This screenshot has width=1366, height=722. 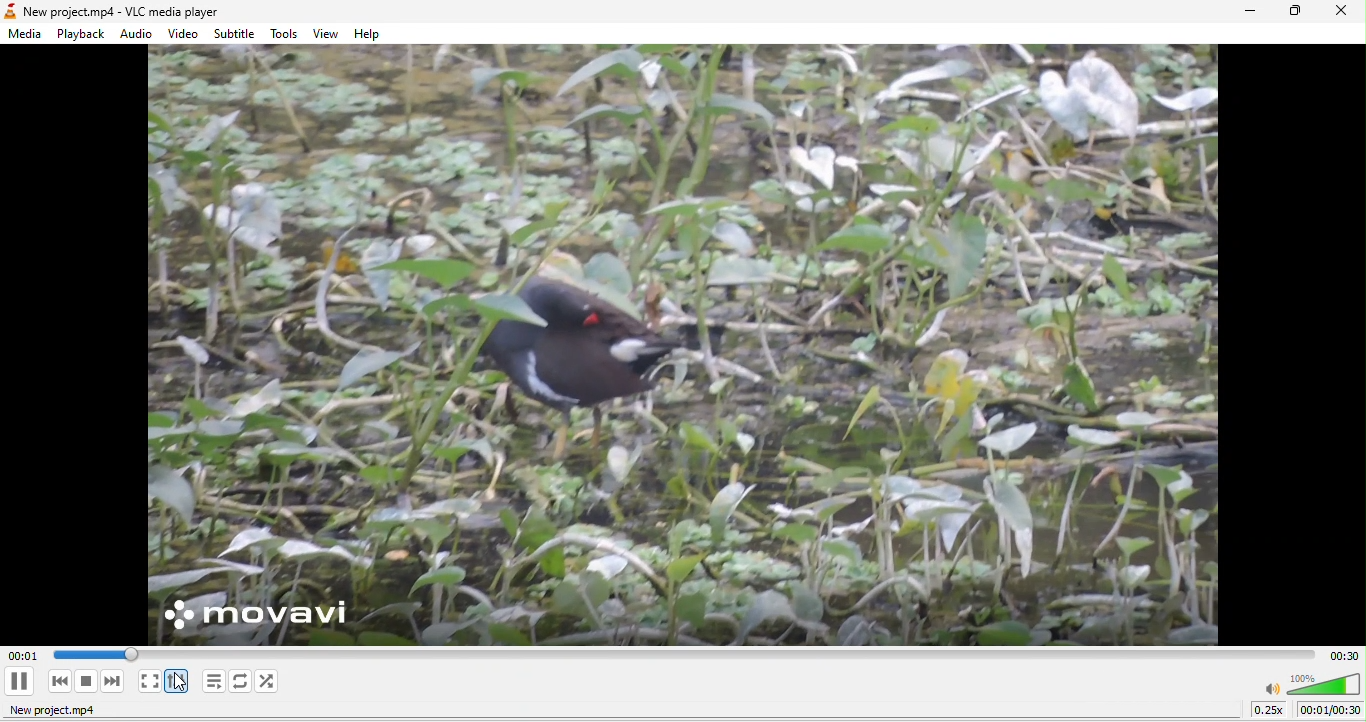 I want to click on maximize, so click(x=1293, y=12).